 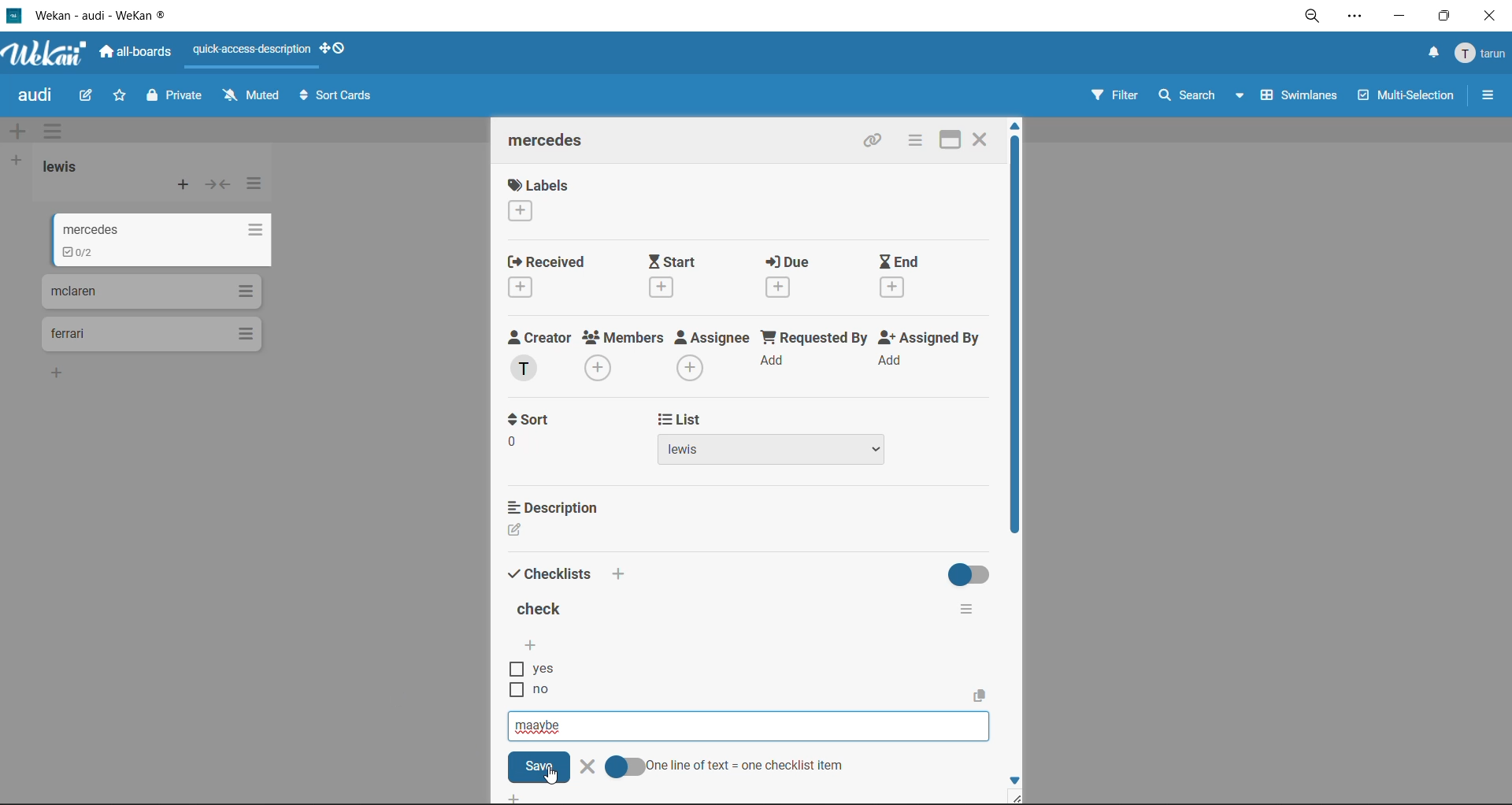 I want to click on 0, so click(x=512, y=443).